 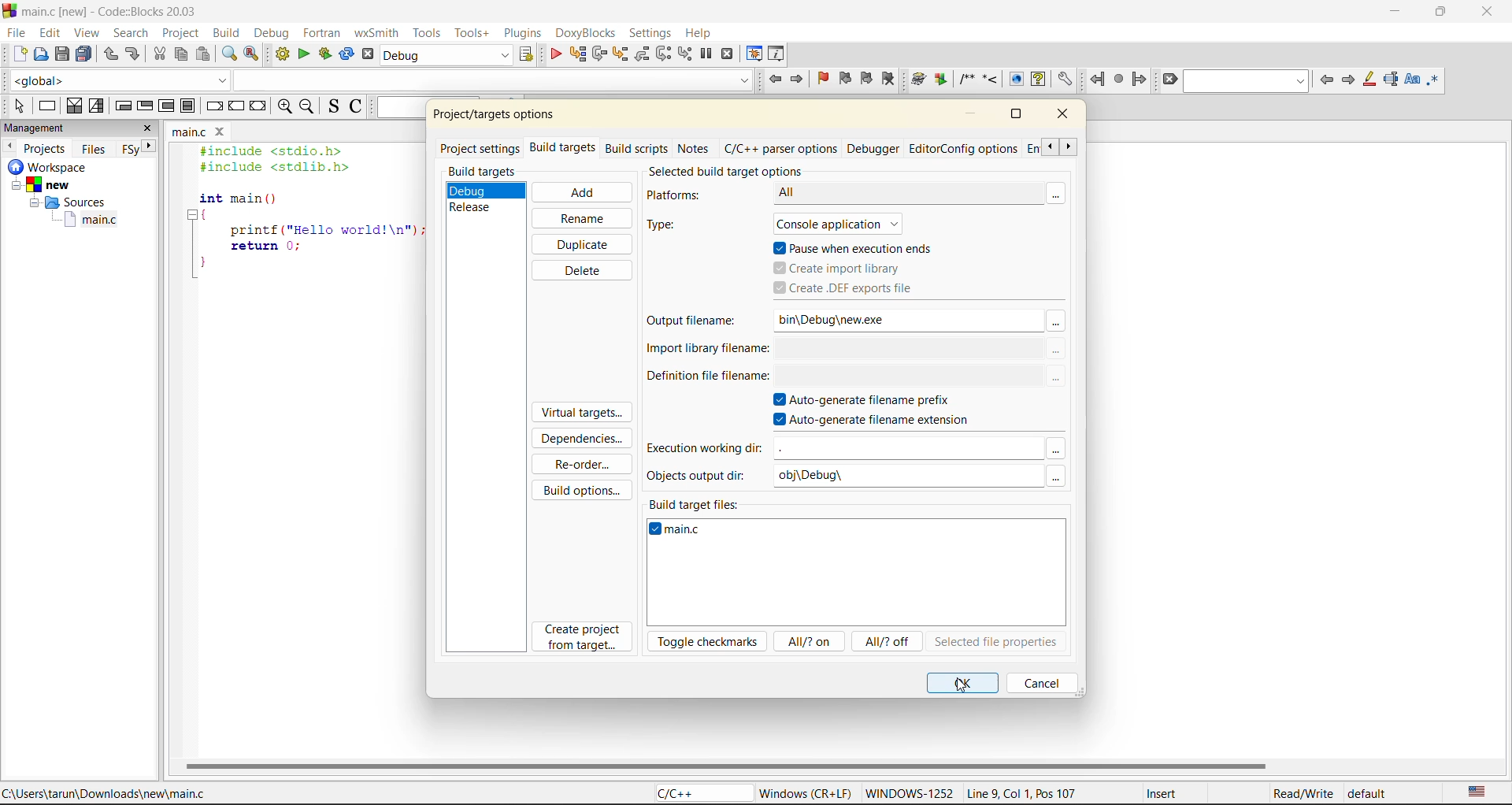 What do you see at coordinates (580, 270) in the screenshot?
I see `delete` at bounding box center [580, 270].